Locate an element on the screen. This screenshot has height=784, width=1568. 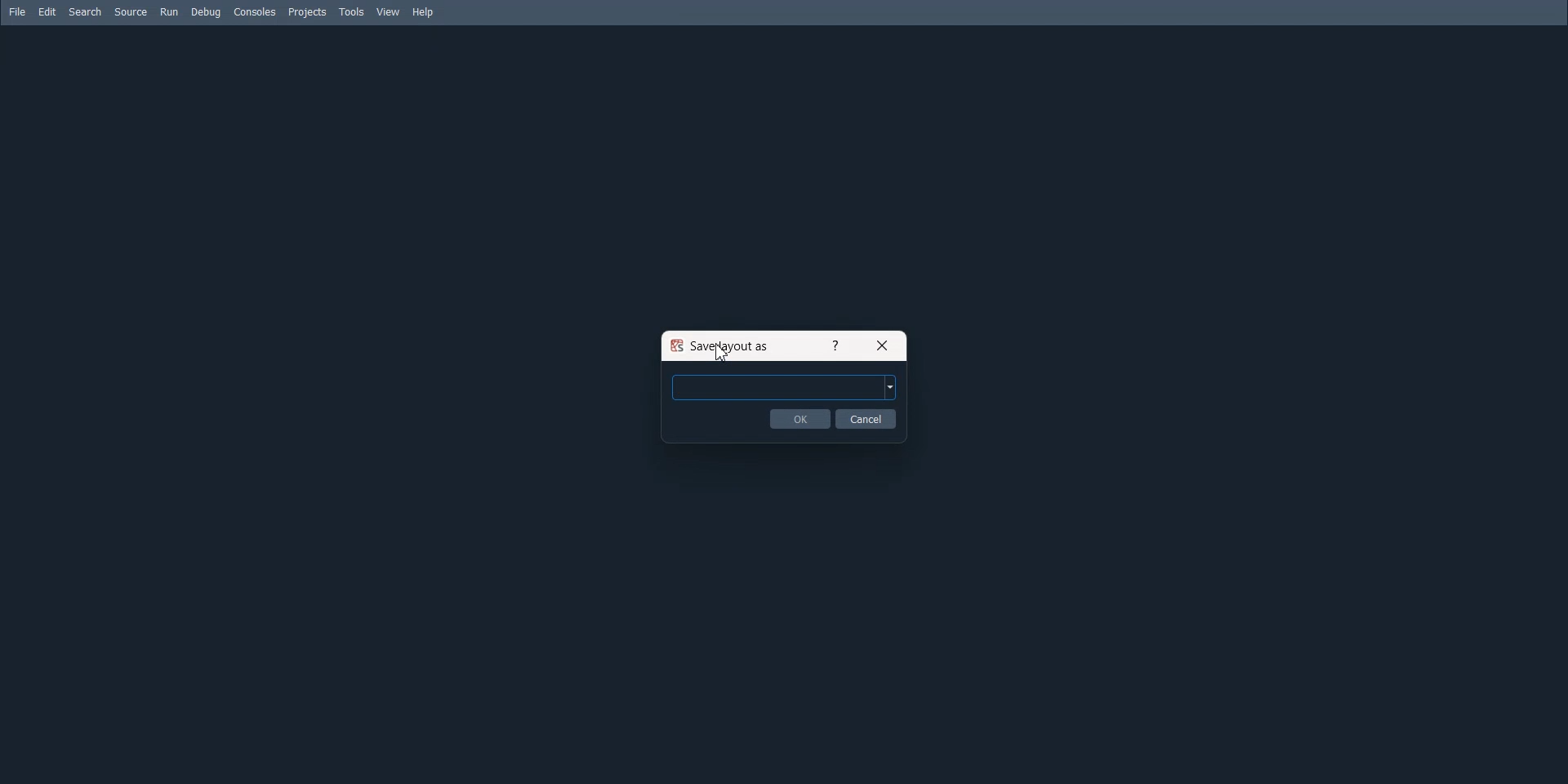
Search is located at coordinates (84, 11).